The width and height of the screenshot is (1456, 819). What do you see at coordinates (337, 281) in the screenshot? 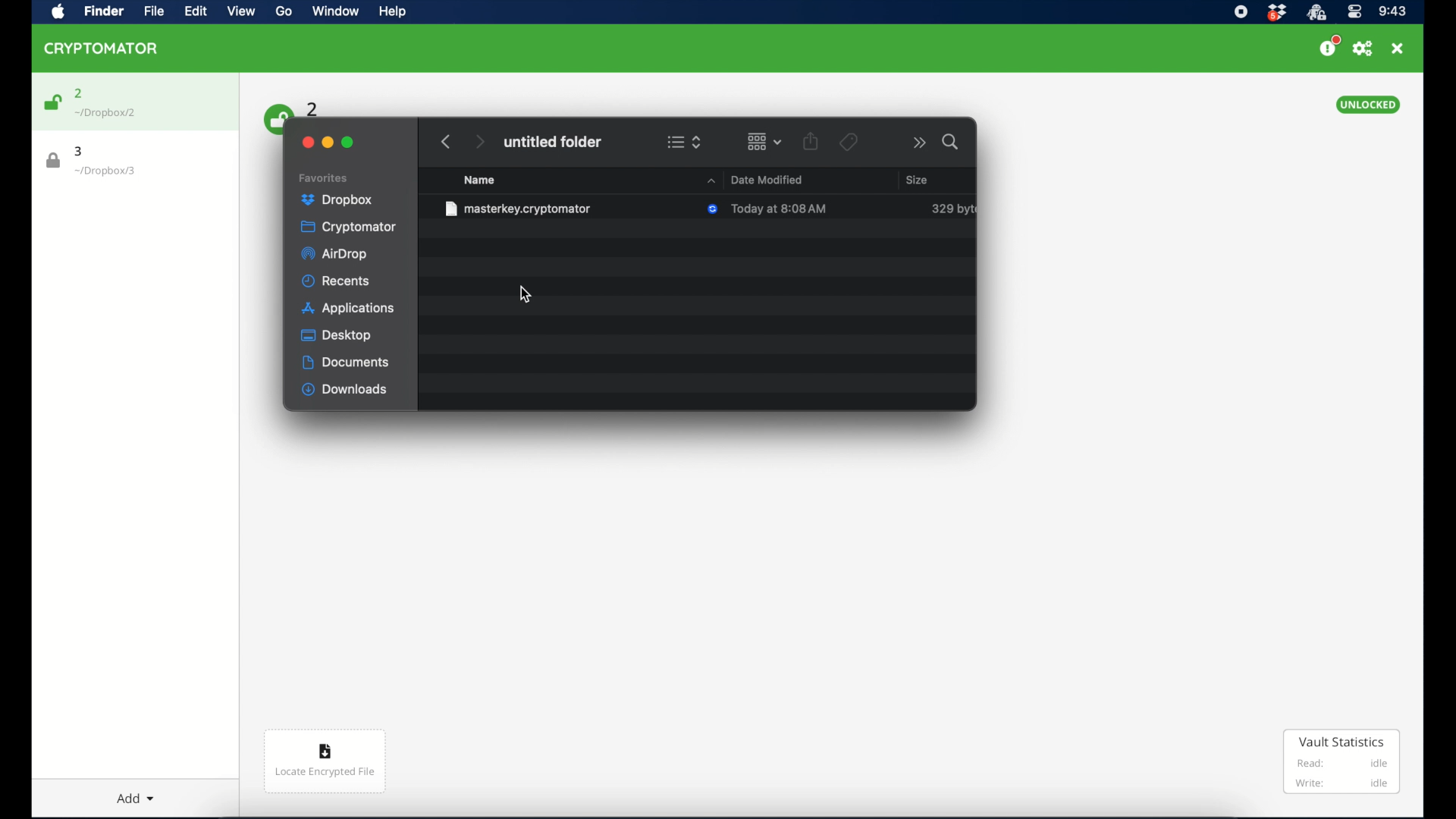
I see `recents` at bounding box center [337, 281].